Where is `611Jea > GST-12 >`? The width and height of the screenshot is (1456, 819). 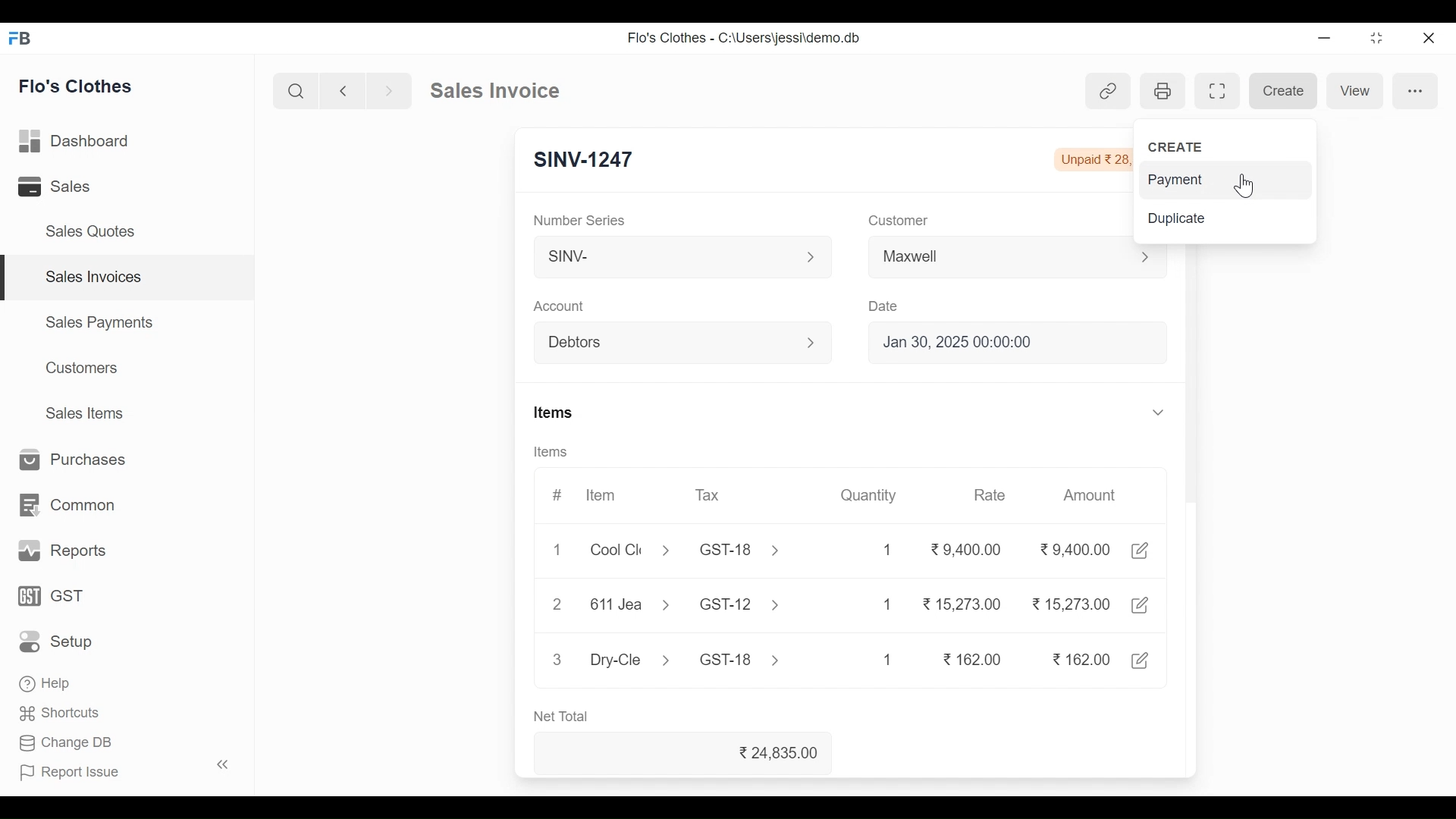
611Jea > GST-12 > is located at coordinates (688, 605).